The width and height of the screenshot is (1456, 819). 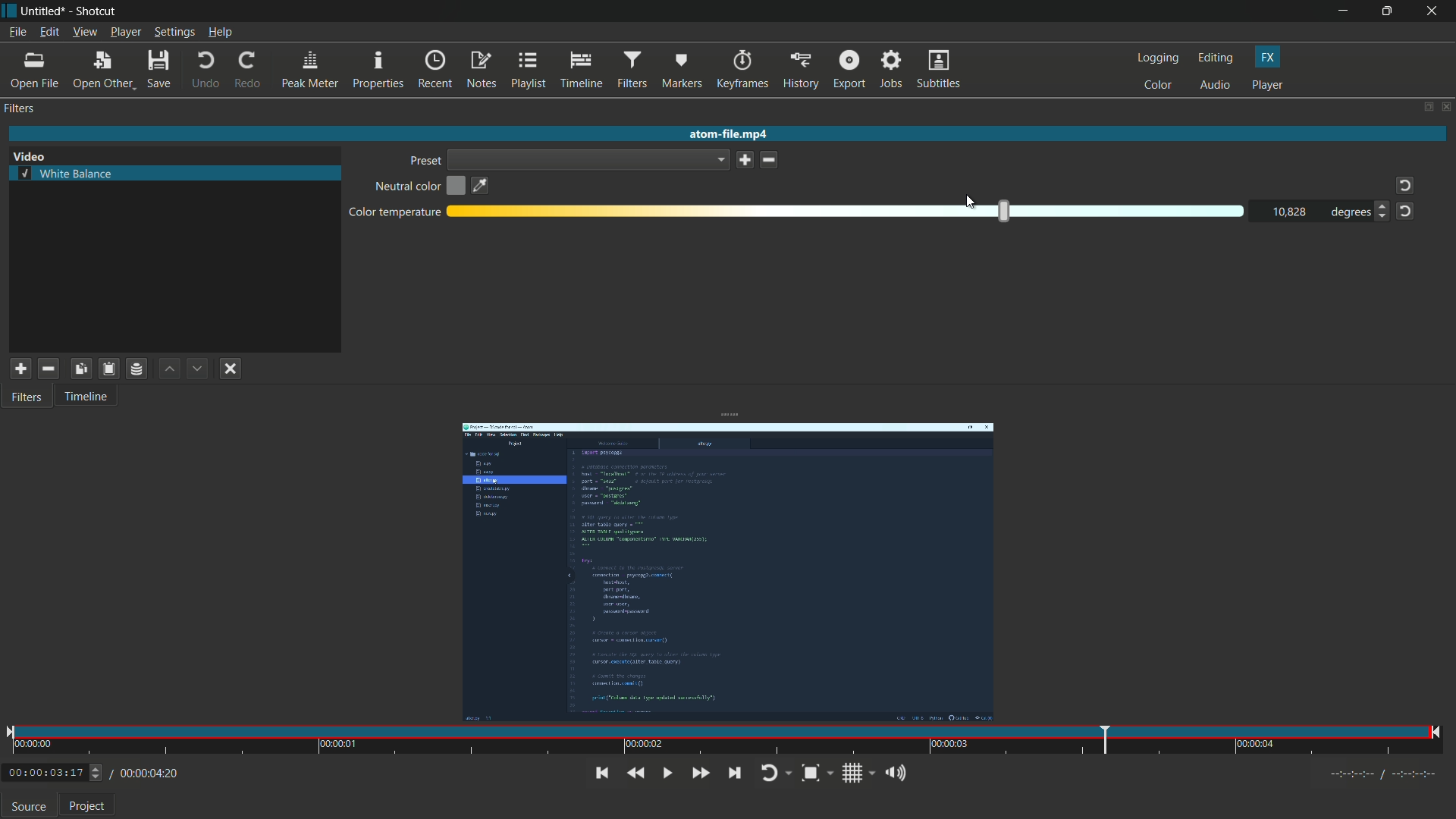 What do you see at coordinates (249, 67) in the screenshot?
I see `redo` at bounding box center [249, 67].